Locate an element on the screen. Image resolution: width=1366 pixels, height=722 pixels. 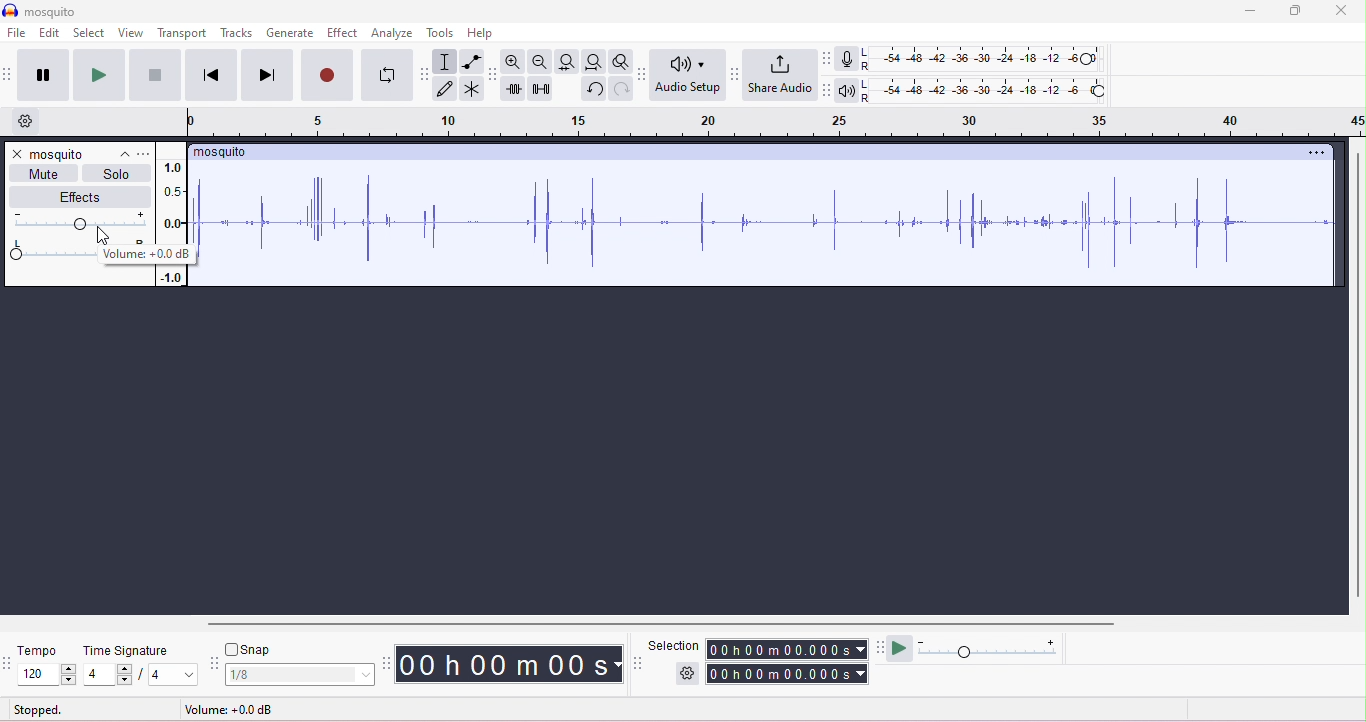
effect is located at coordinates (342, 32).